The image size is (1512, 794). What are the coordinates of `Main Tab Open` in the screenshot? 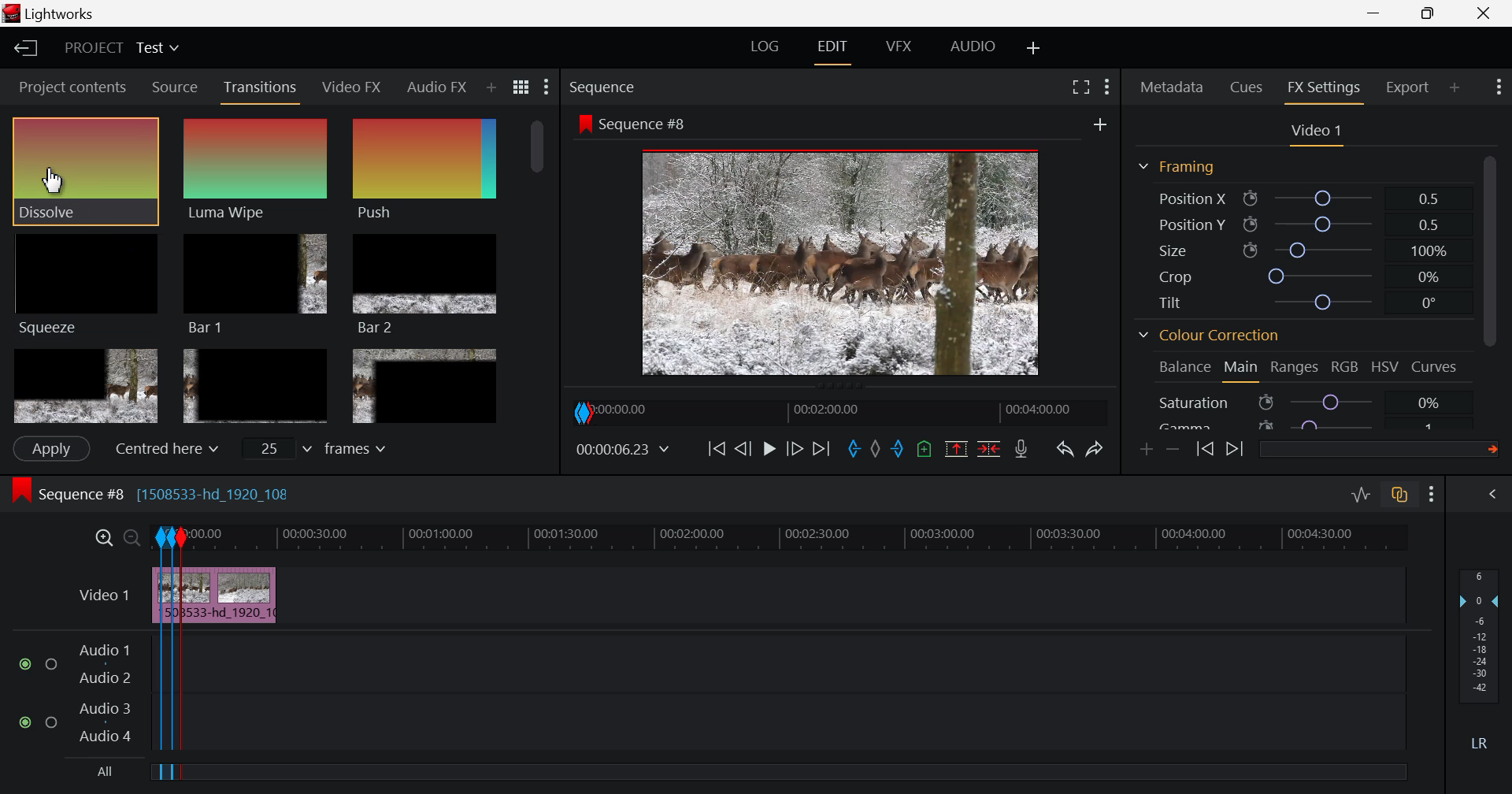 It's located at (1242, 369).